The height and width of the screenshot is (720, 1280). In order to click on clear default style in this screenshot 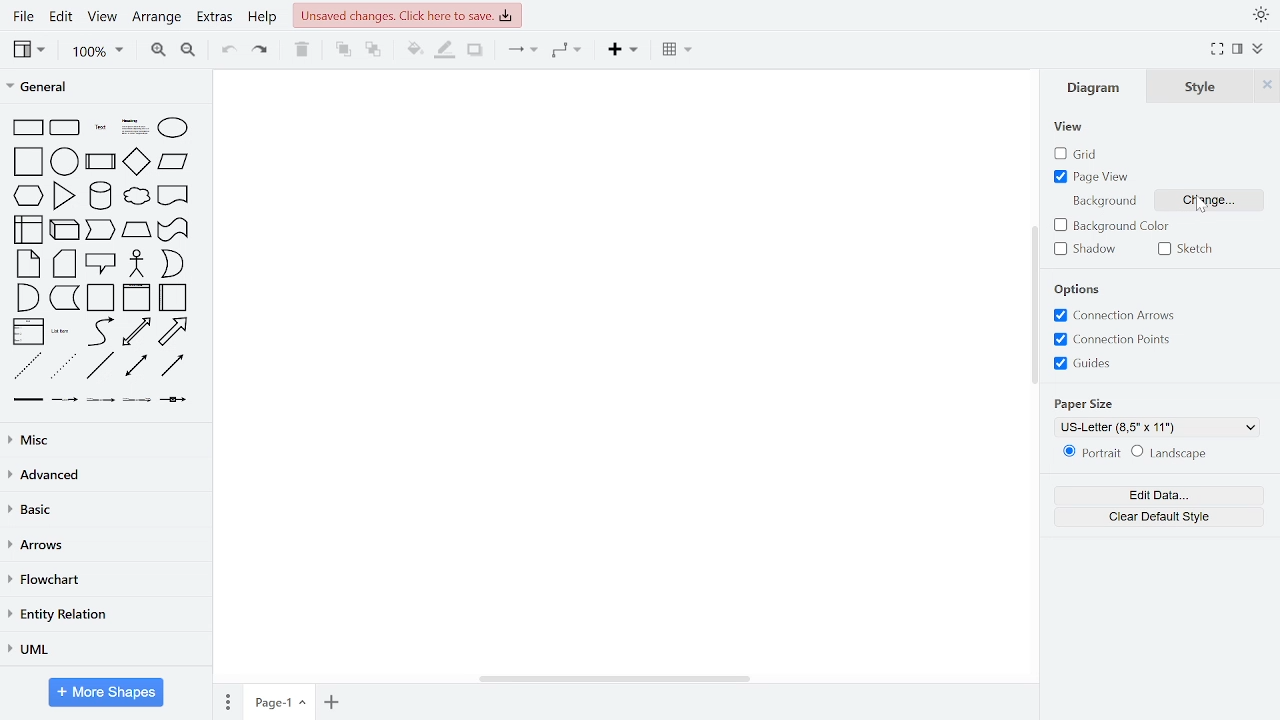, I will do `click(1162, 514)`.